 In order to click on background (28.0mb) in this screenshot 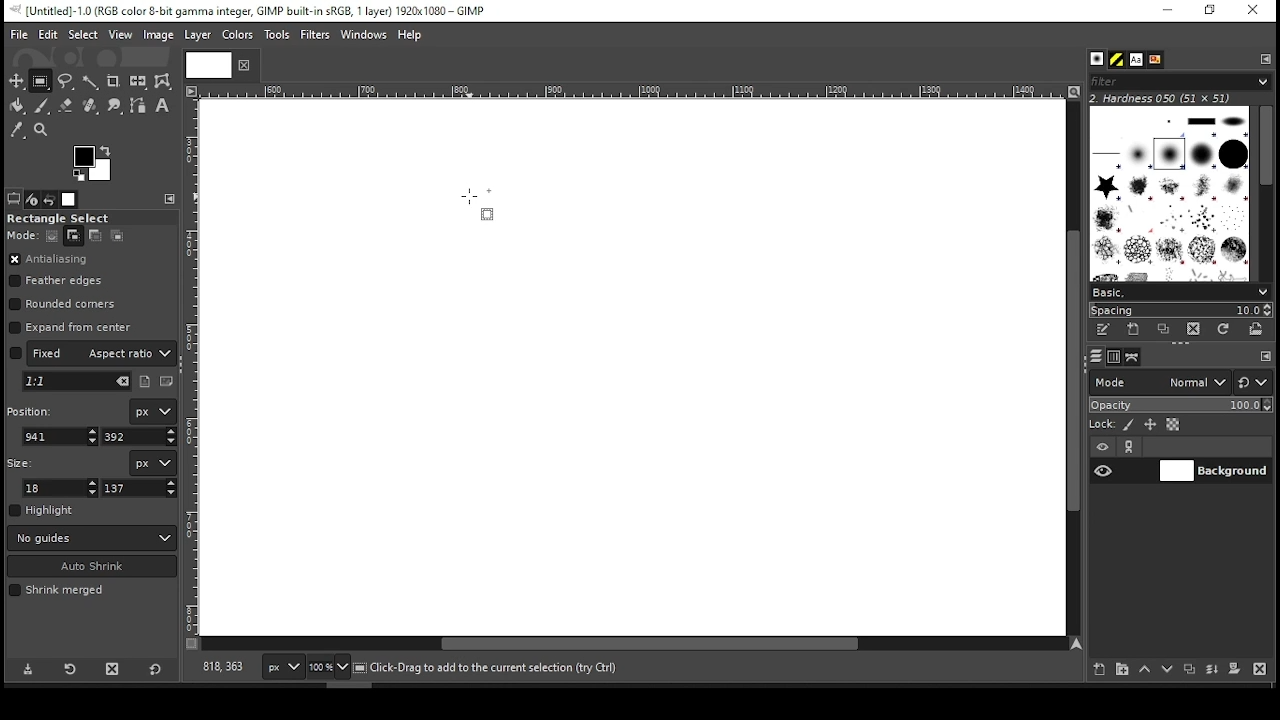, I will do `click(490, 668)`.